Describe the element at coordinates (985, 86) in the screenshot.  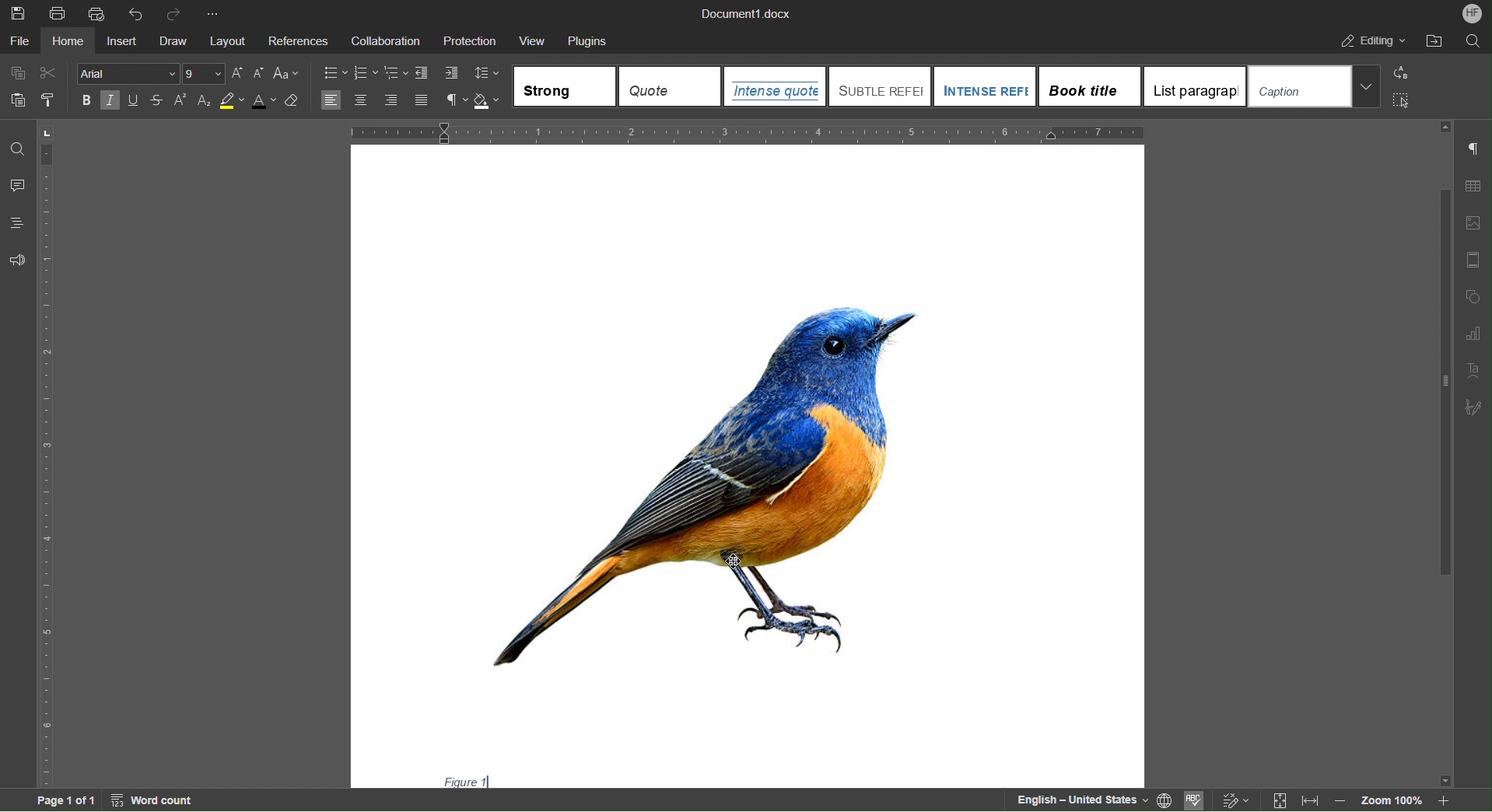
I see `Heading 3` at that location.